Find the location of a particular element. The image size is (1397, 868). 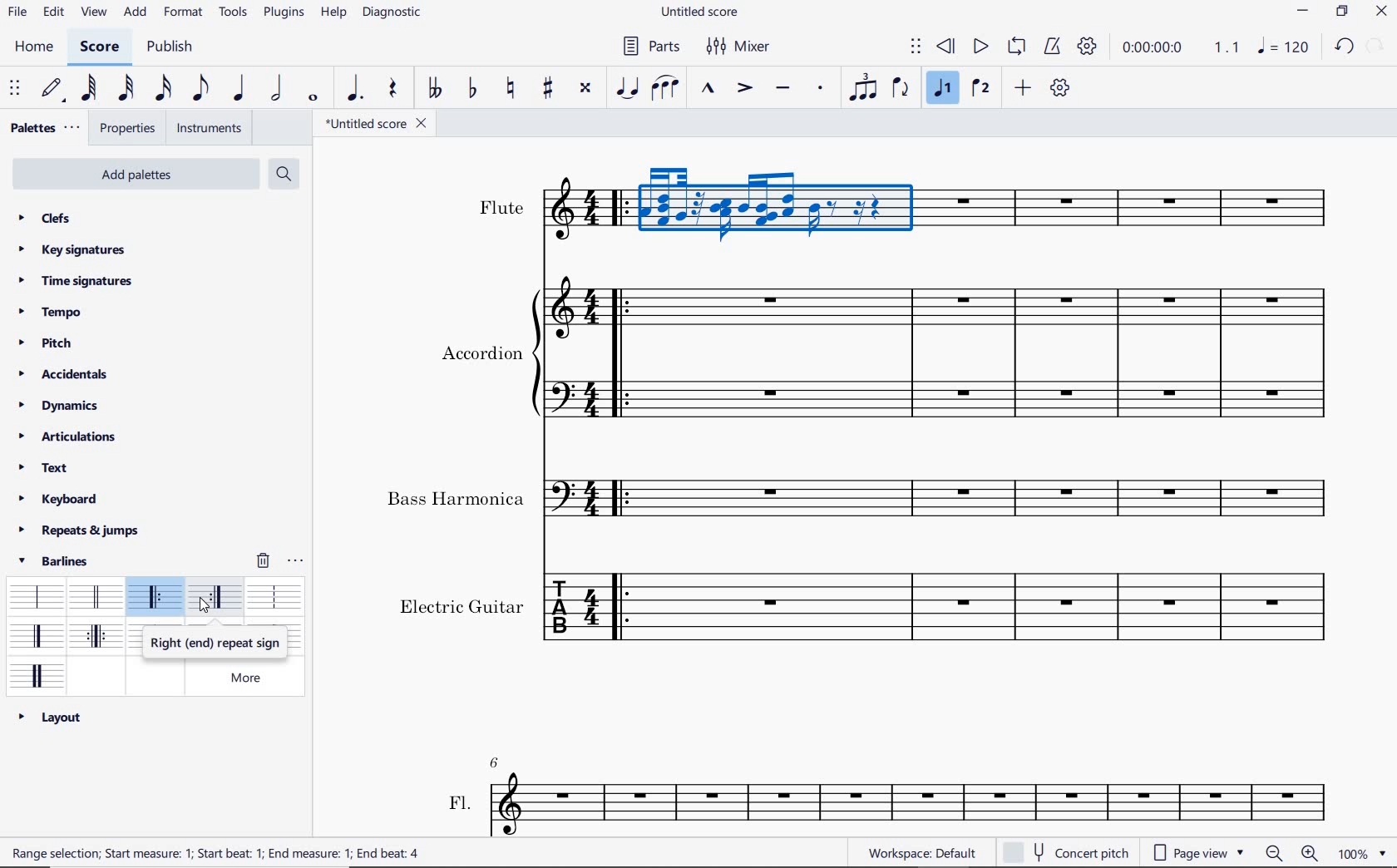

text is located at coordinates (460, 801).